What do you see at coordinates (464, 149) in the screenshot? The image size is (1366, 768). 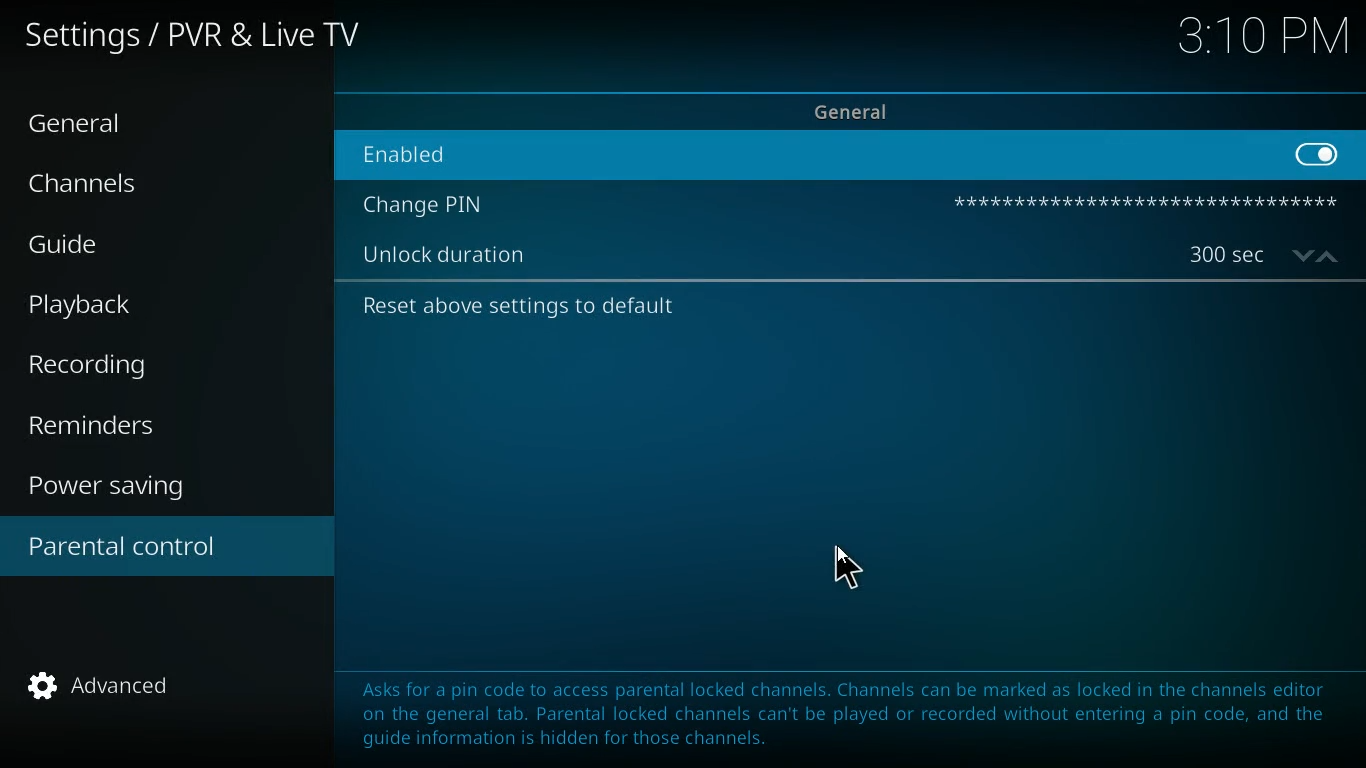 I see `enabled` at bounding box center [464, 149].